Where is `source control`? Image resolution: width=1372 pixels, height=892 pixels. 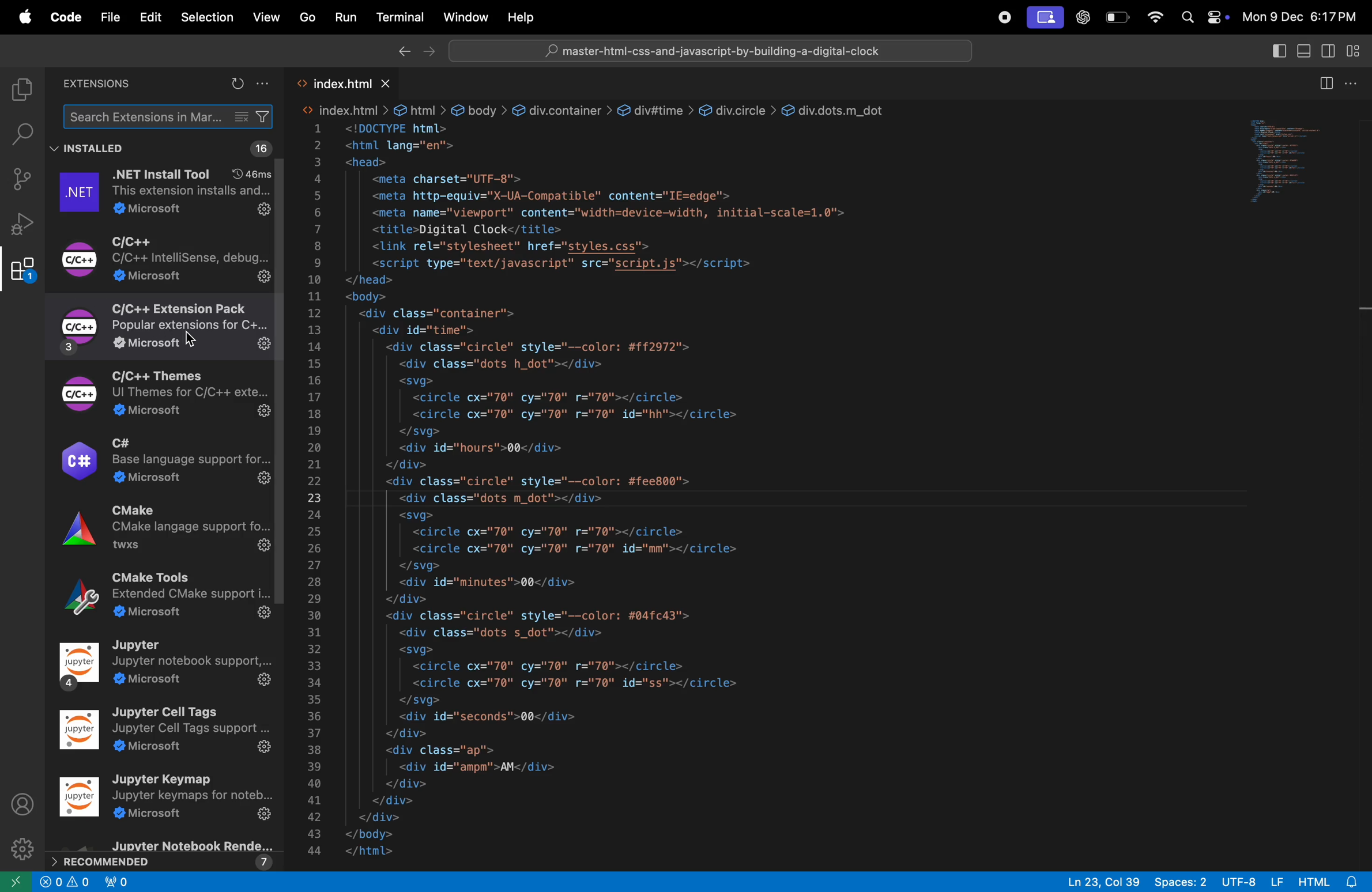
source control is located at coordinates (21, 179).